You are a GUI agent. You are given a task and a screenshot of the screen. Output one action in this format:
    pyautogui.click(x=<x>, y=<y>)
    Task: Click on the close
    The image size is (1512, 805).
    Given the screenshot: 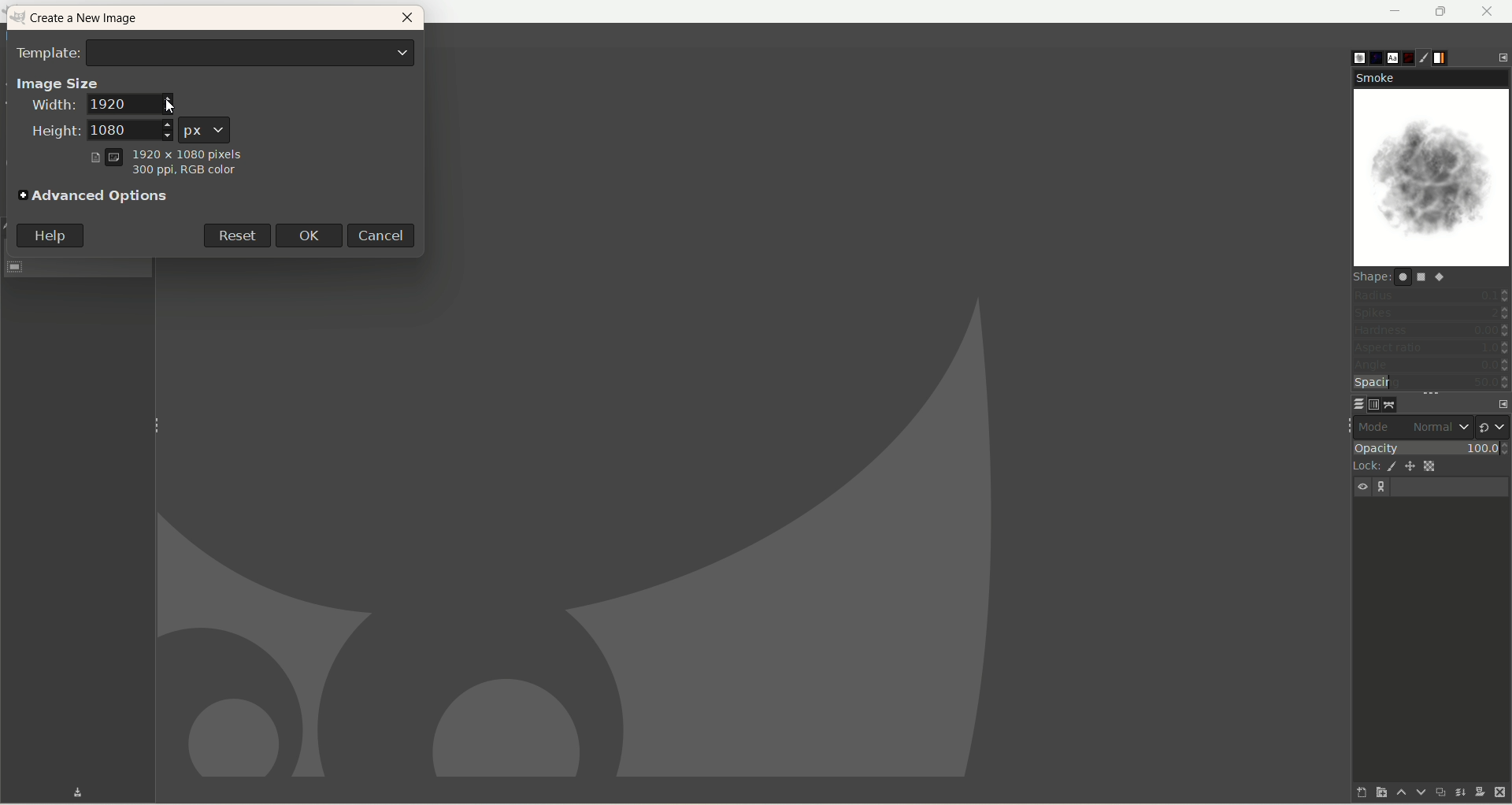 What is the action you would take?
    pyautogui.click(x=407, y=20)
    